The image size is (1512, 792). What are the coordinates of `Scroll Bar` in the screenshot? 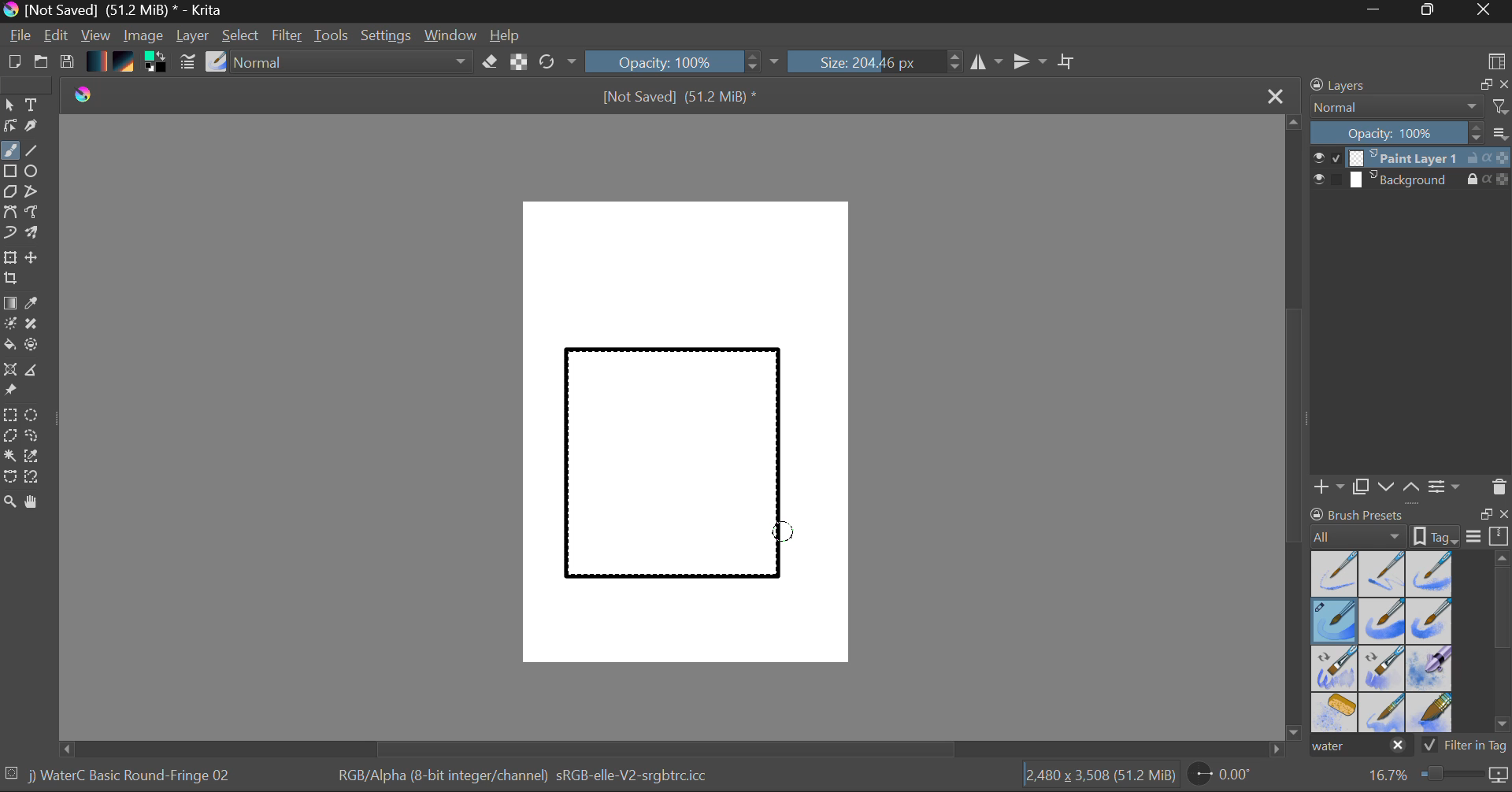 It's located at (673, 749).